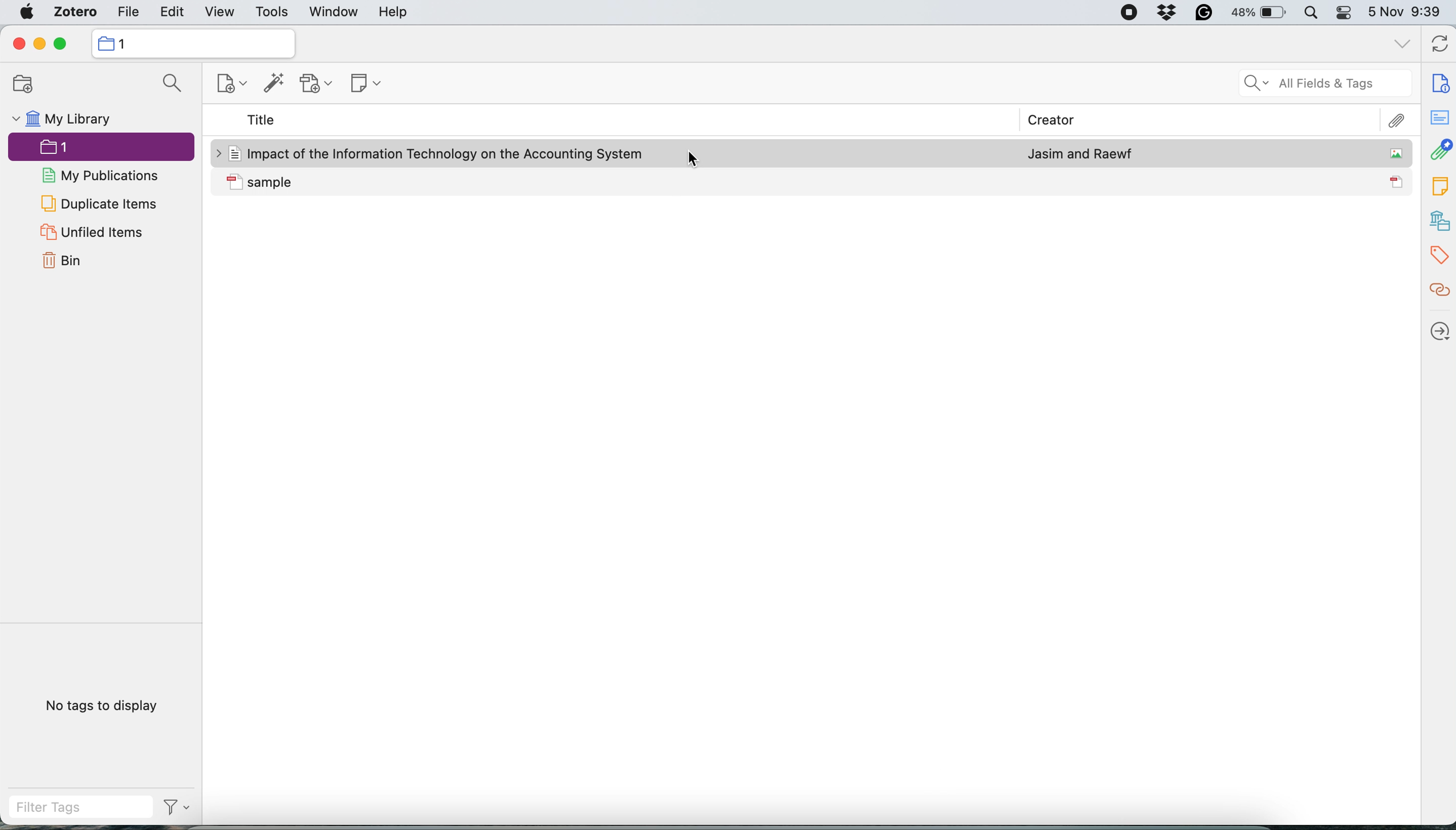  Describe the element at coordinates (1080, 154) in the screenshot. I see `Jasim and Raewf` at that location.